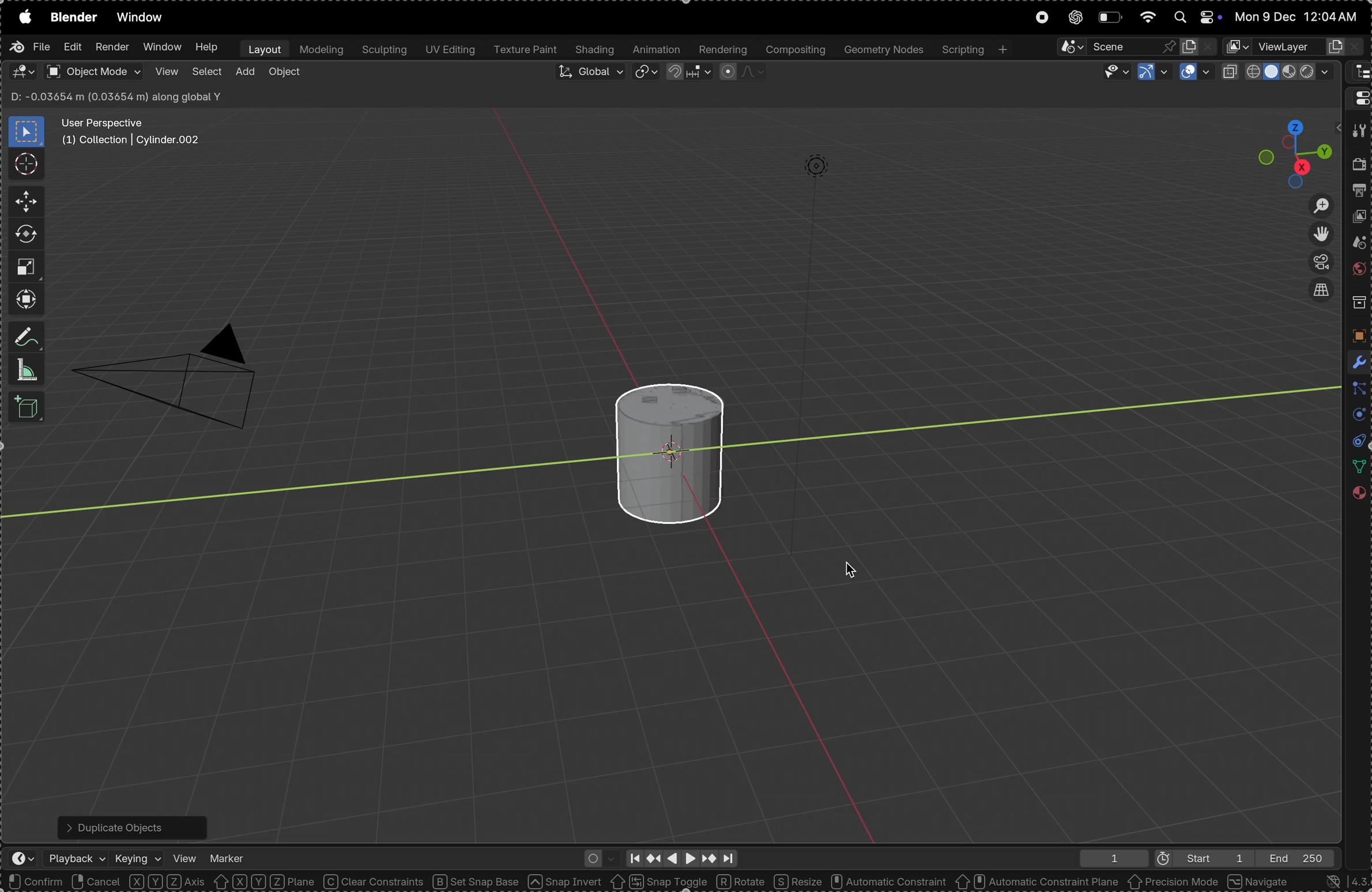 This screenshot has height=892, width=1372. I want to click on snap toggle, so click(658, 881).